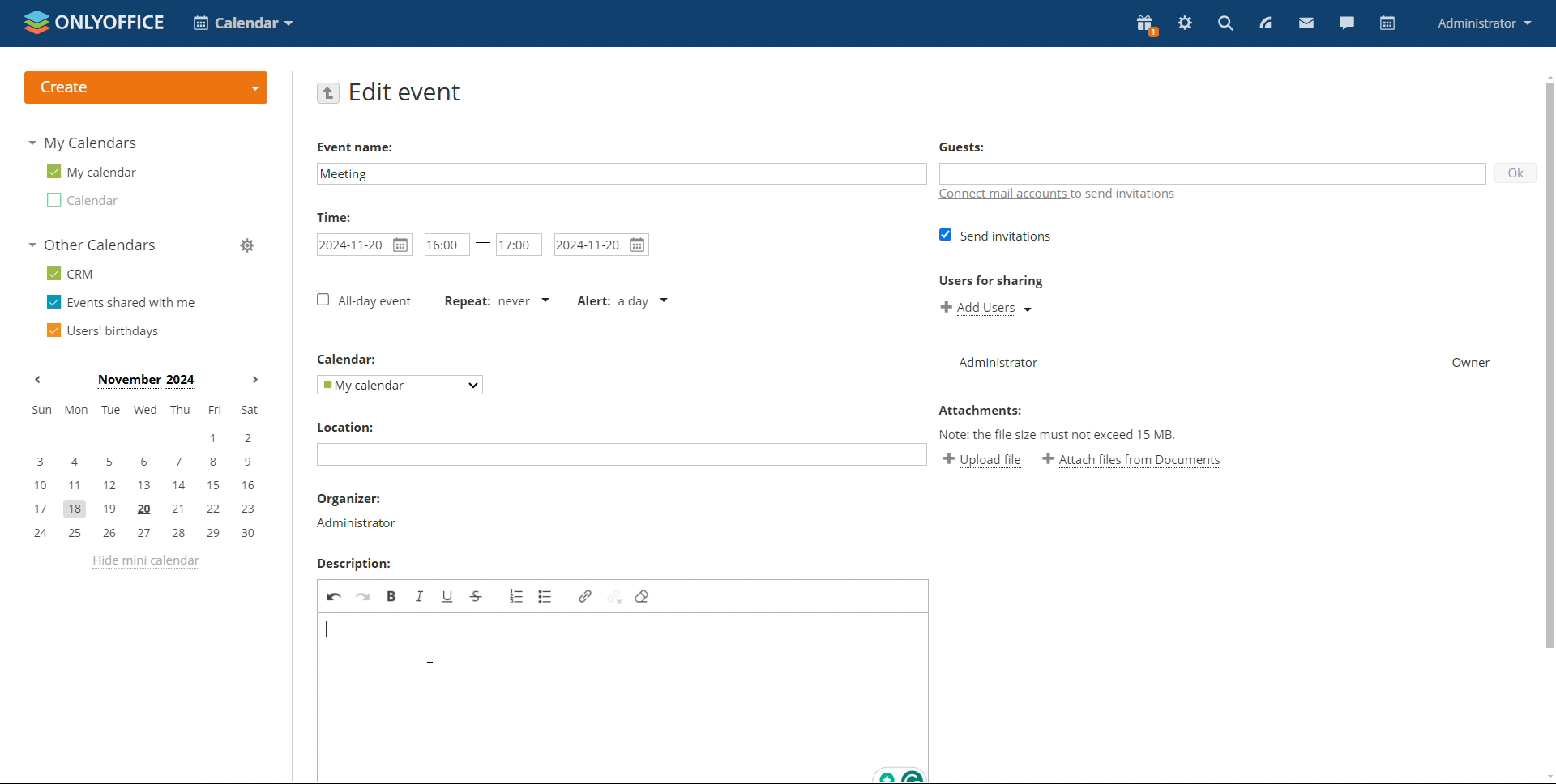  Describe the element at coordinates (1212, 174) in the screenshot. I see `add guests` at that location.